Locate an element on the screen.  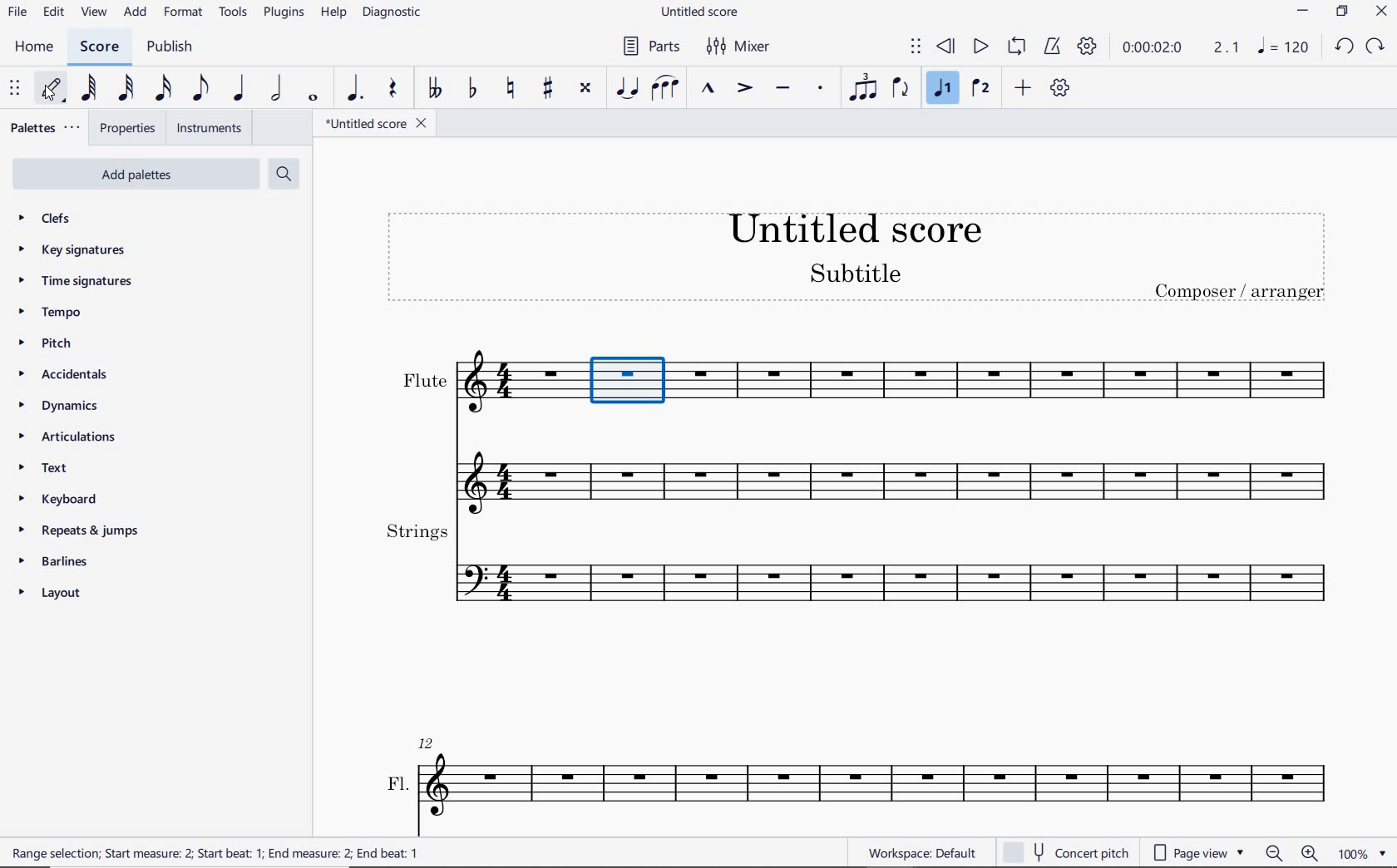
TUPLET is located at coordinates (866, 86).